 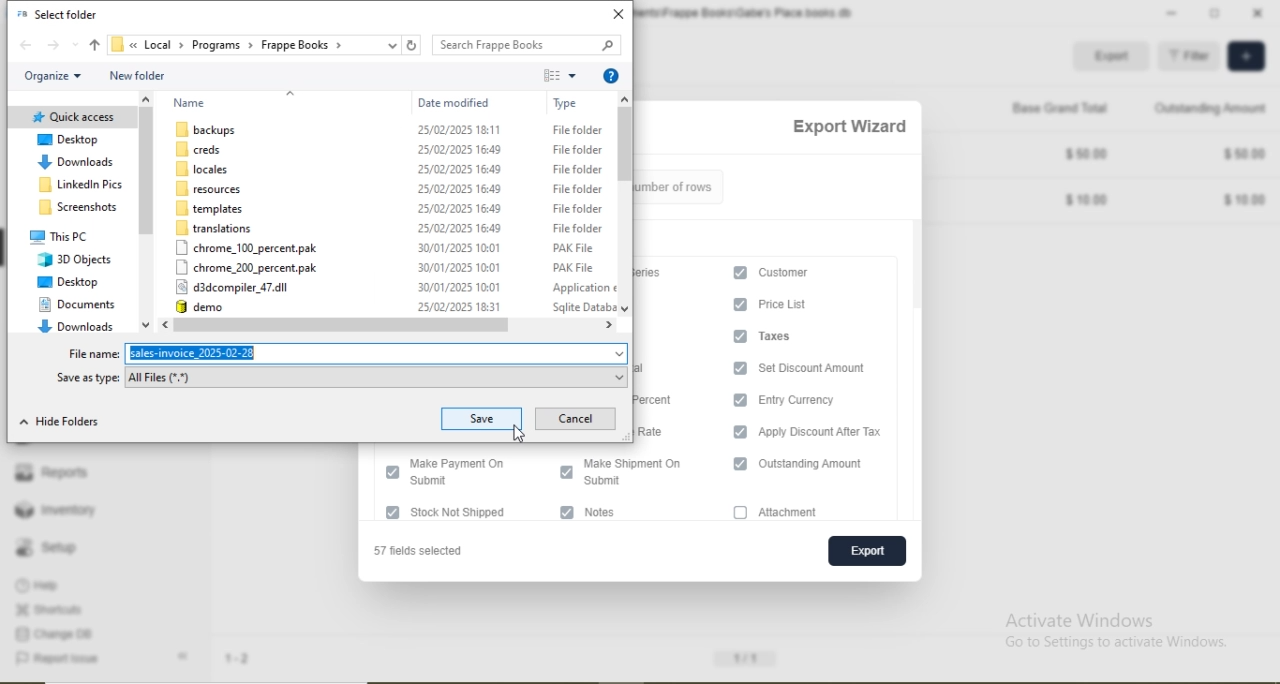 What do you see at coordinates (1246, 200) in the screenshot?
I see `$1000` at bounding box center [1246, 200].